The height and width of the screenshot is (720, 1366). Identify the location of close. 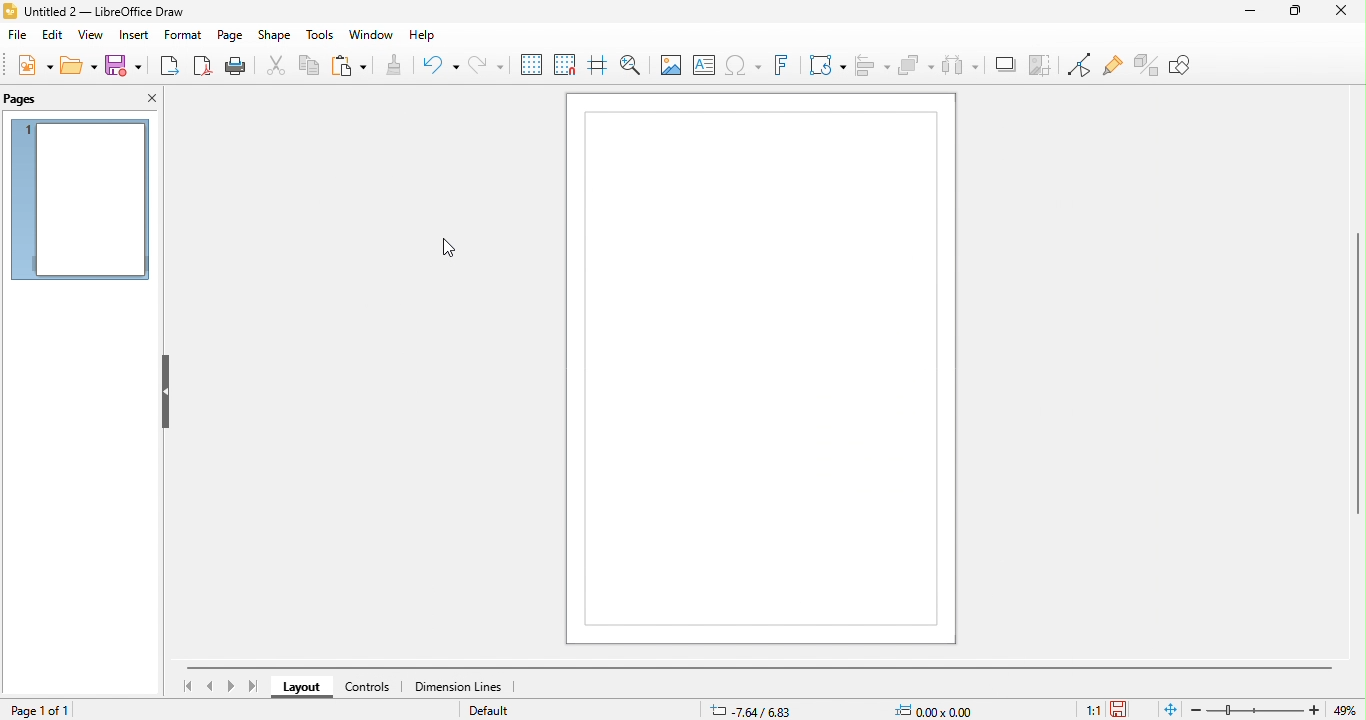
(1335, 14).